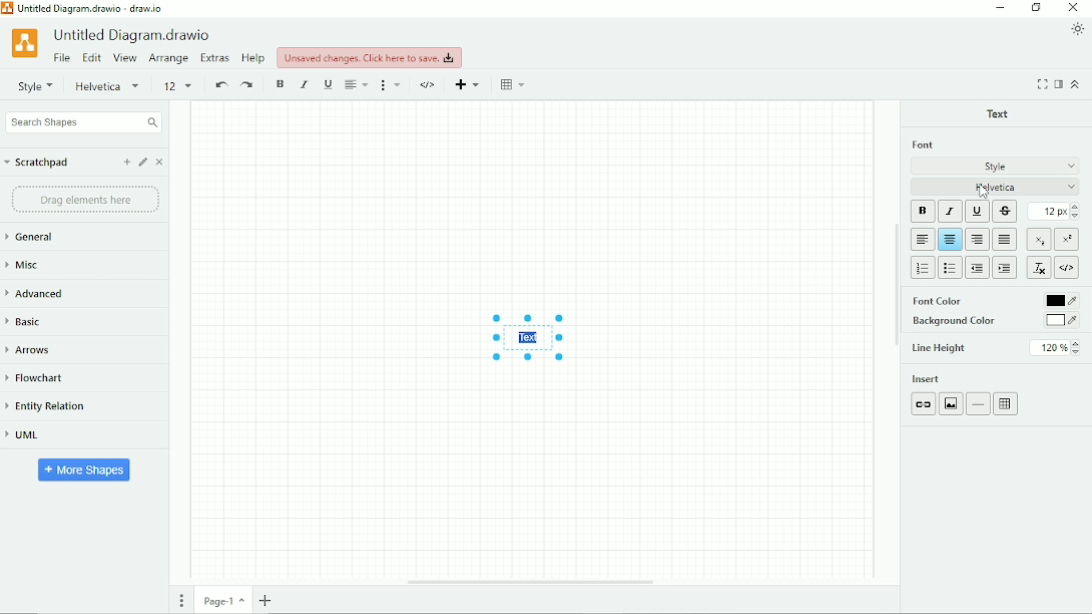 The height and width of the screenshot is (614, 1092). Describe the element at coordinates (1036, 7) in the screenshot. I see `Restore down` at that location.